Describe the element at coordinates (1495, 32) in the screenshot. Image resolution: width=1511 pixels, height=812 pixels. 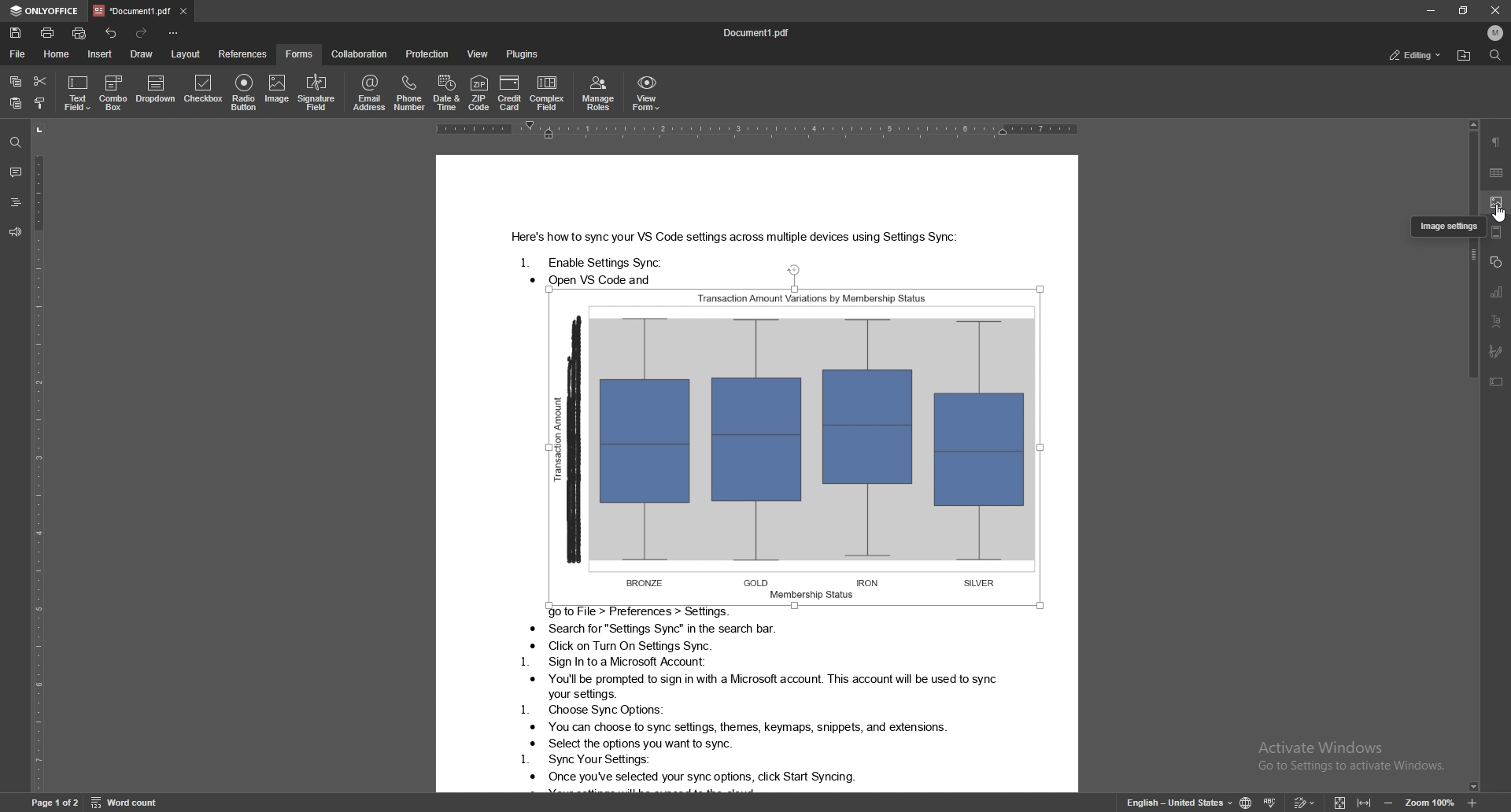
I see `profile` at that location.